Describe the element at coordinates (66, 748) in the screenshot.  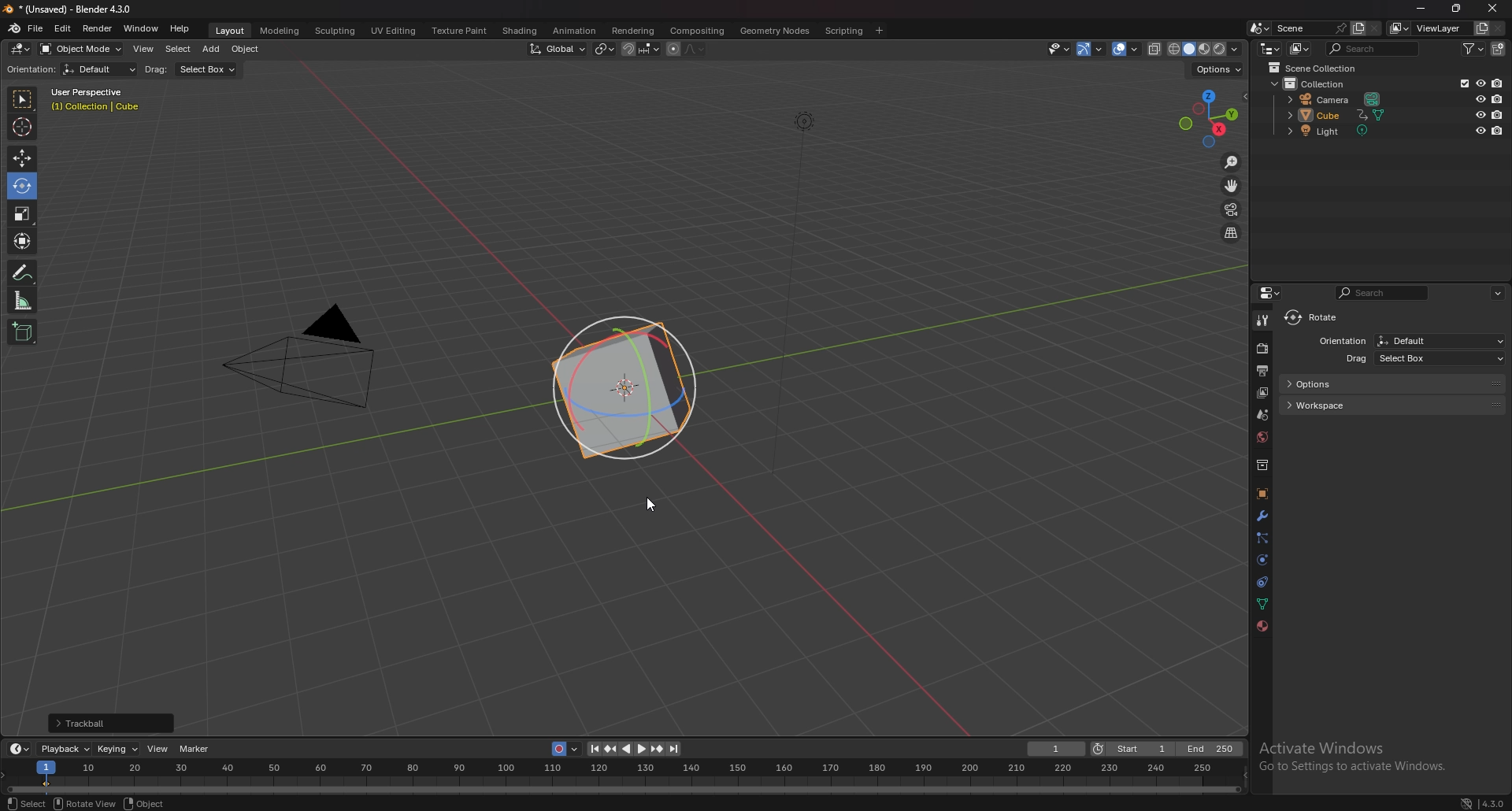
I see `playback` at that location.